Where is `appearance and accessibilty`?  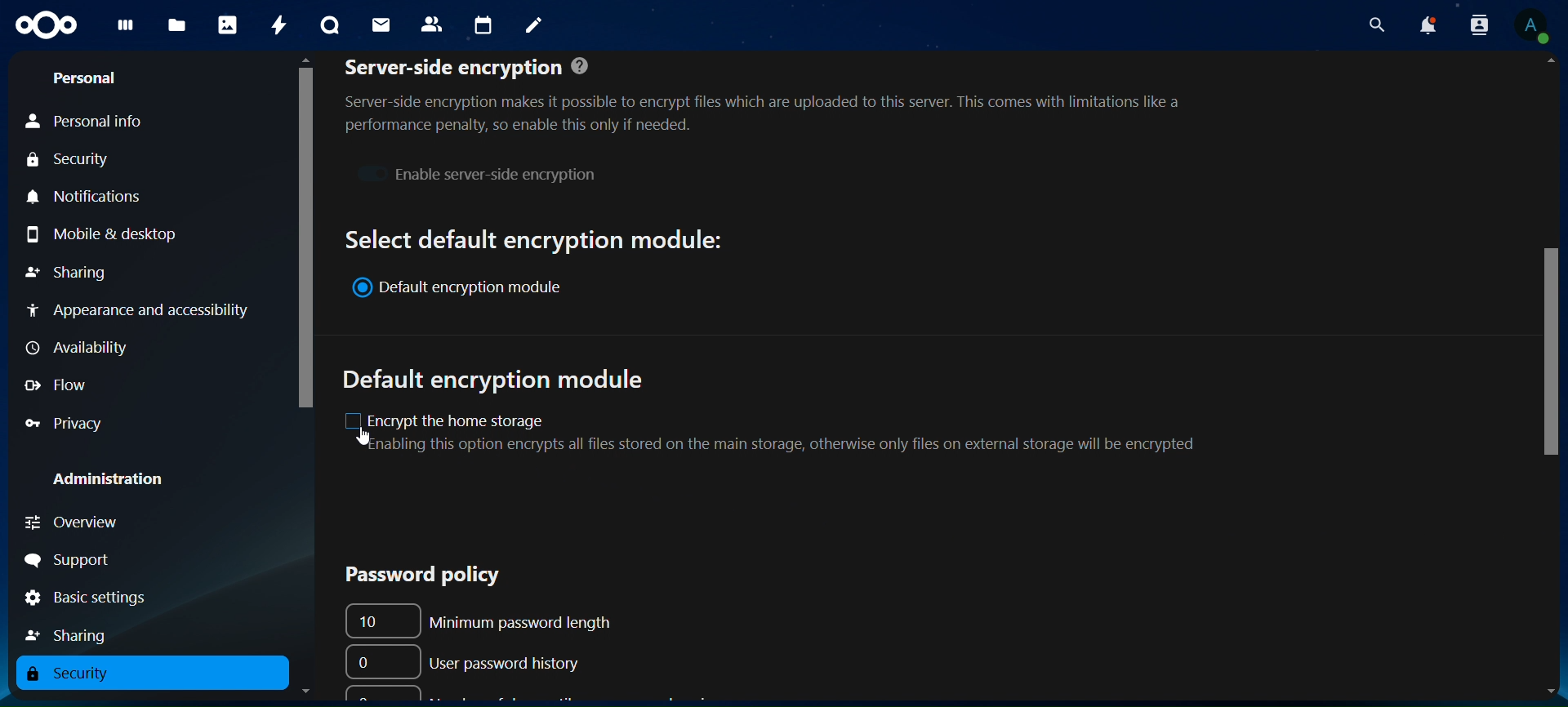 appearance and accessibilty is located at coordinates (142, 309).